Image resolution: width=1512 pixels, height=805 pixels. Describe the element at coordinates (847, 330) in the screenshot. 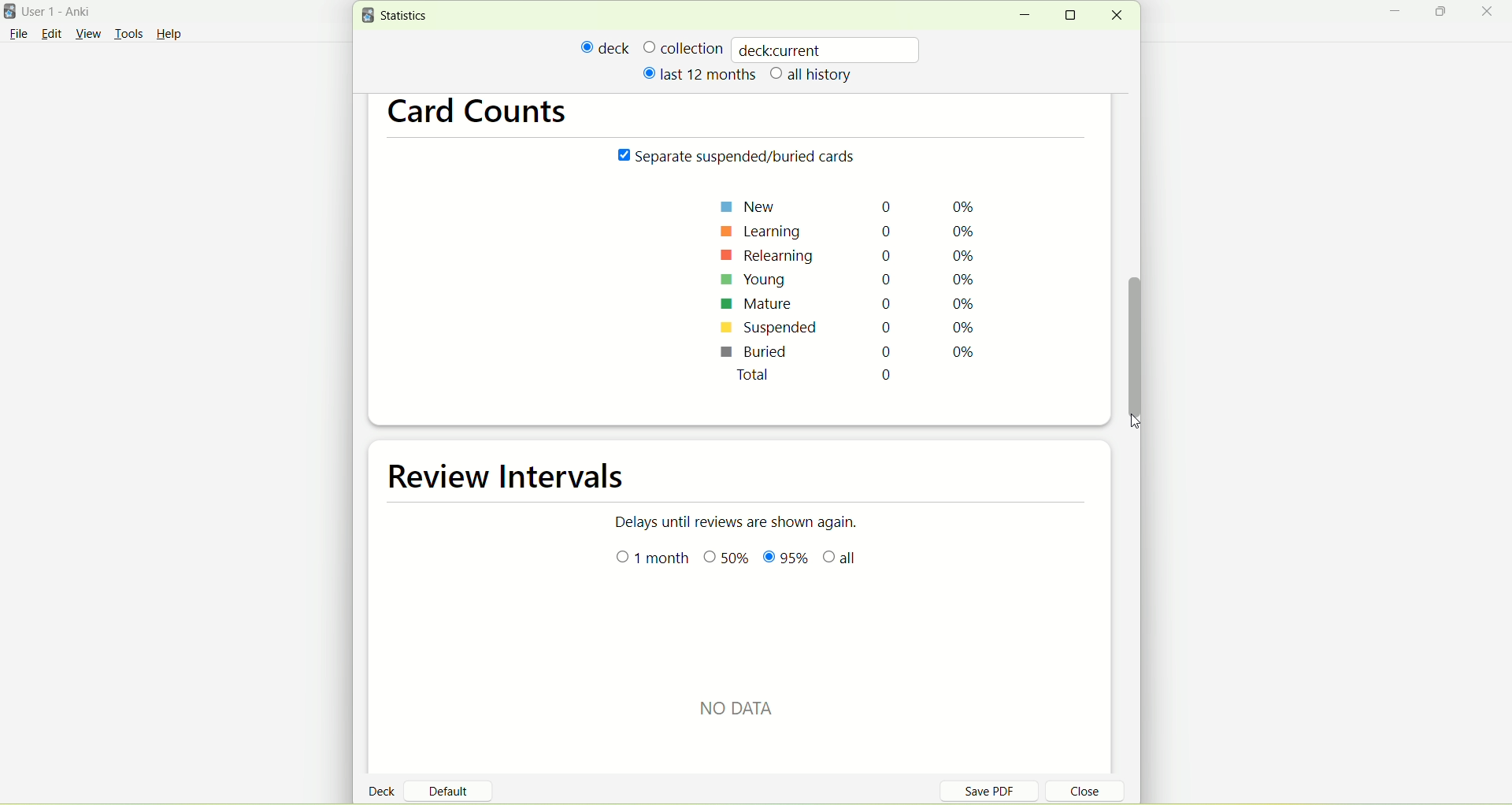

I see `suspended 0 0%` at that location.